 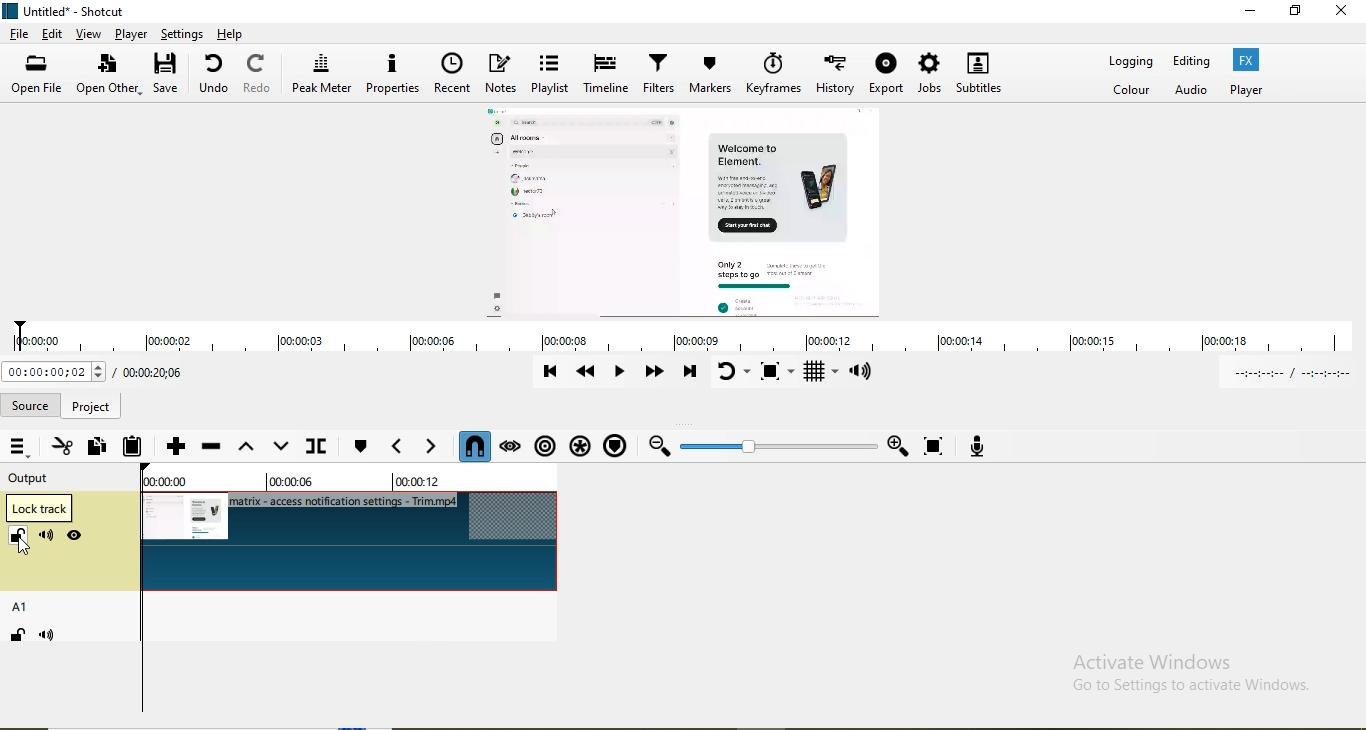 What do you see at coordinates (209, 448) in the screenshot?
I see `Ripple delete` at bounding box center [209, 448].